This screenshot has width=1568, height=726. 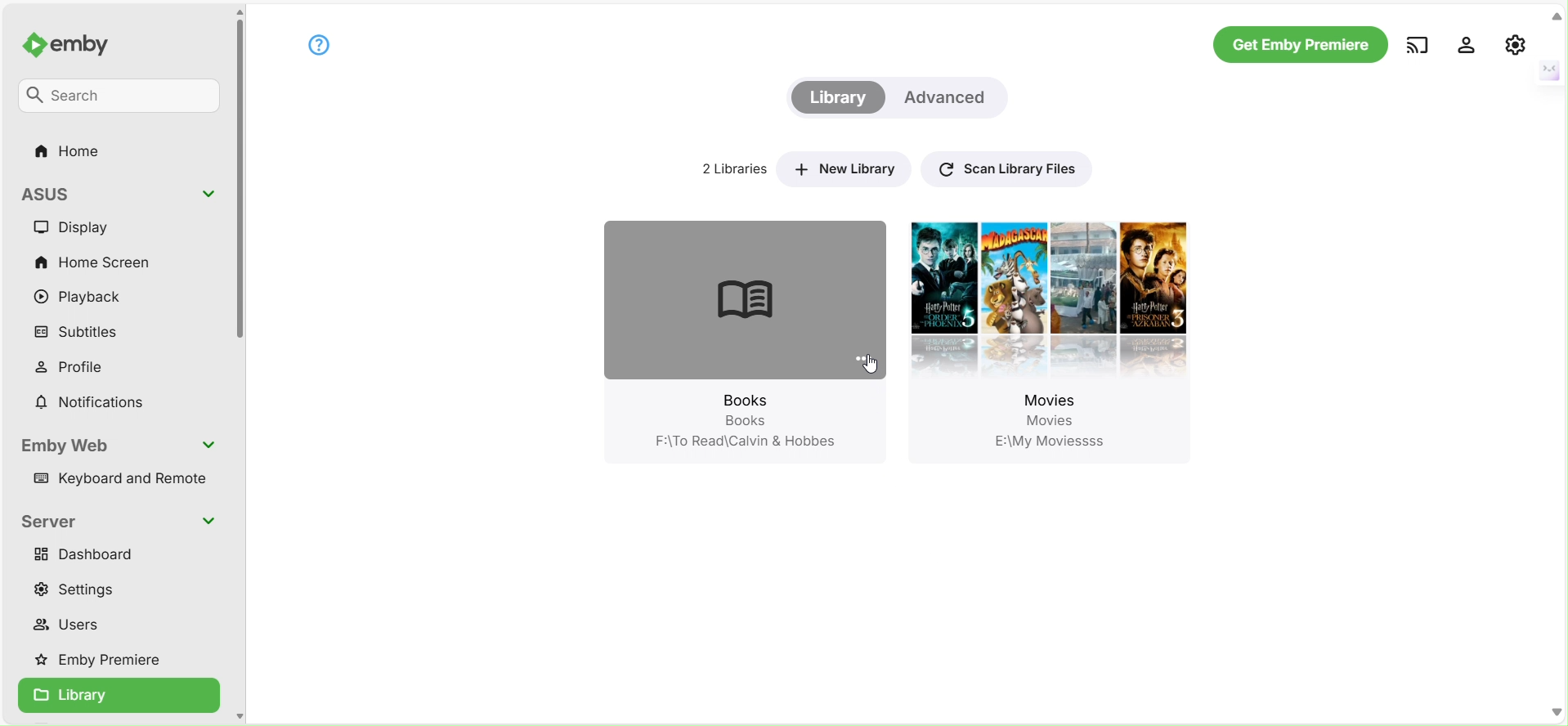 I want to click on Search Bar, so click(x=120, y=97).